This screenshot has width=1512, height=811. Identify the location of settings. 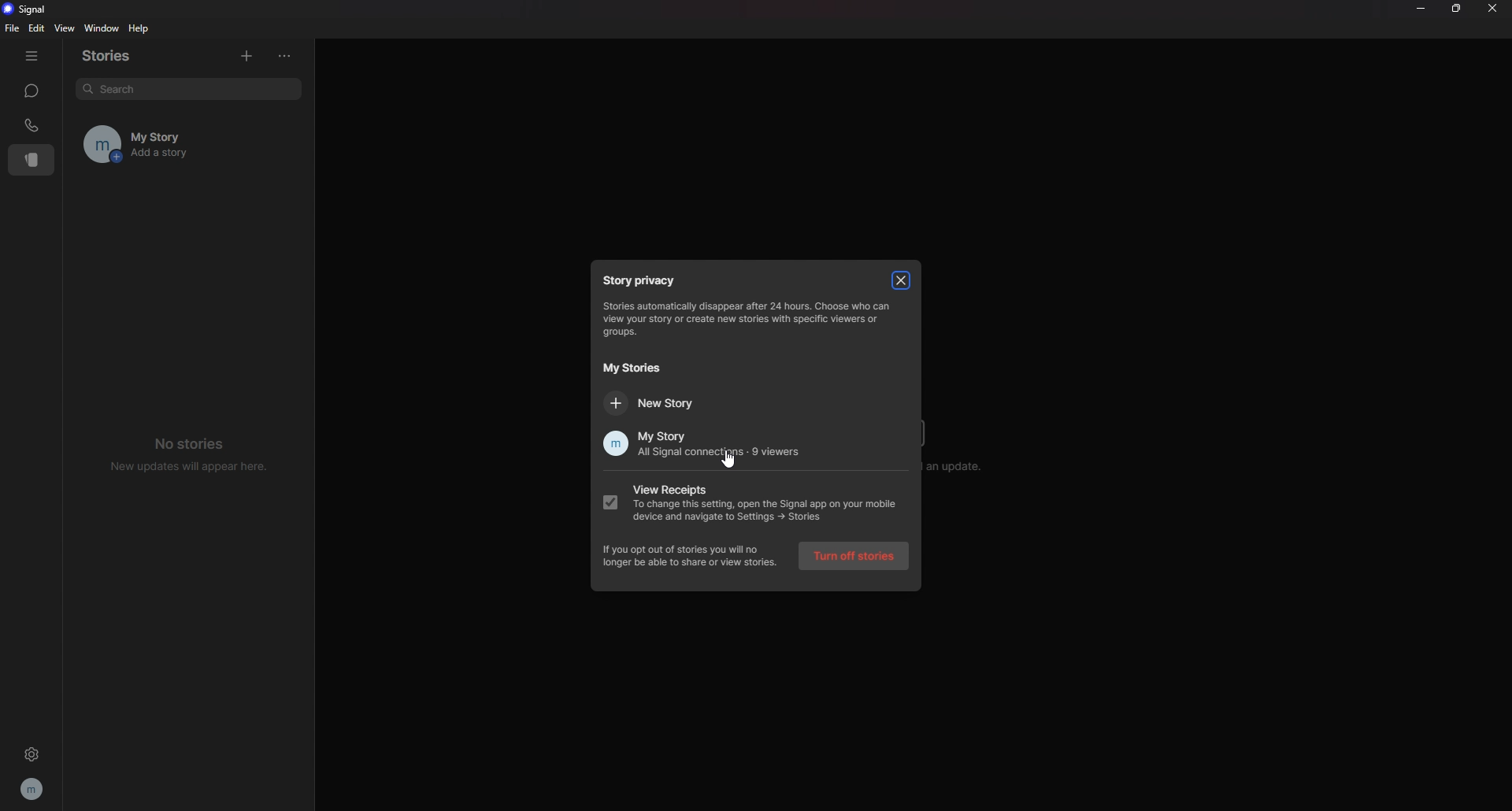
(31, 754).